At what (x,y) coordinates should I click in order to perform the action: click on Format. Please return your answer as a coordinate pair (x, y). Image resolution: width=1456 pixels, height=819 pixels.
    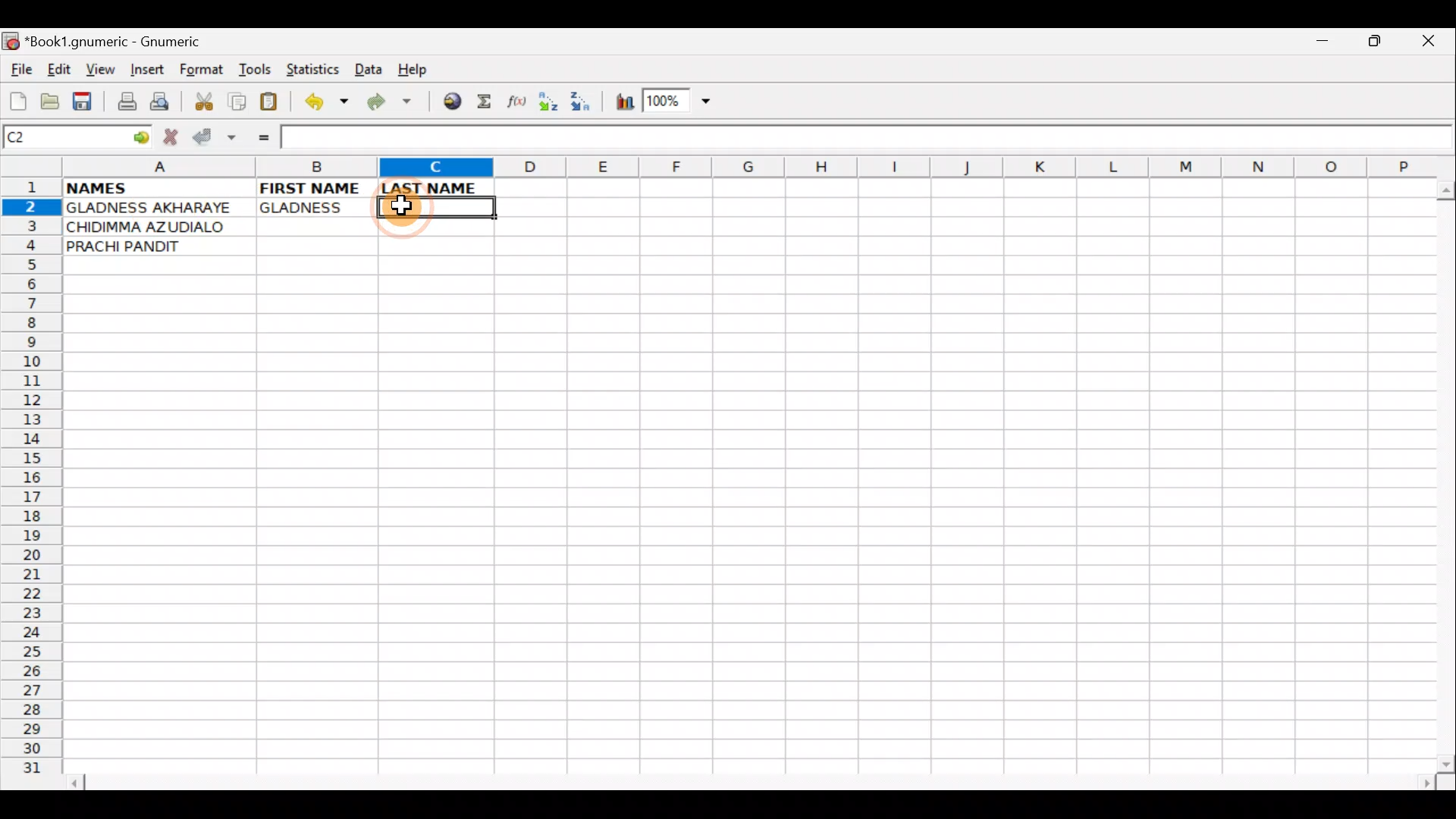
    Looking at the image, I should click on (205, 71).